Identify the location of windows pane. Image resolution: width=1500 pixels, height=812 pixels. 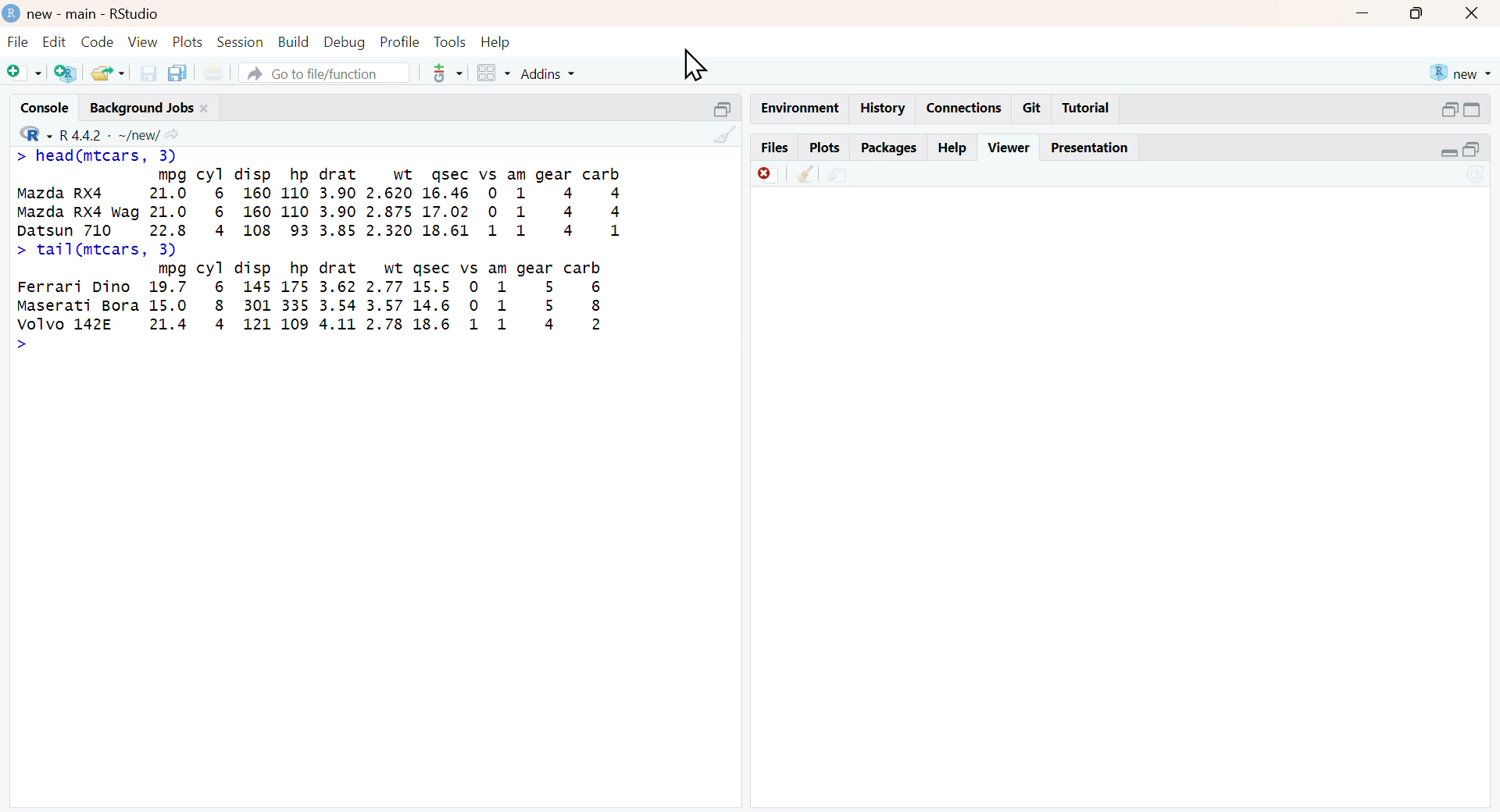
(487, 73).